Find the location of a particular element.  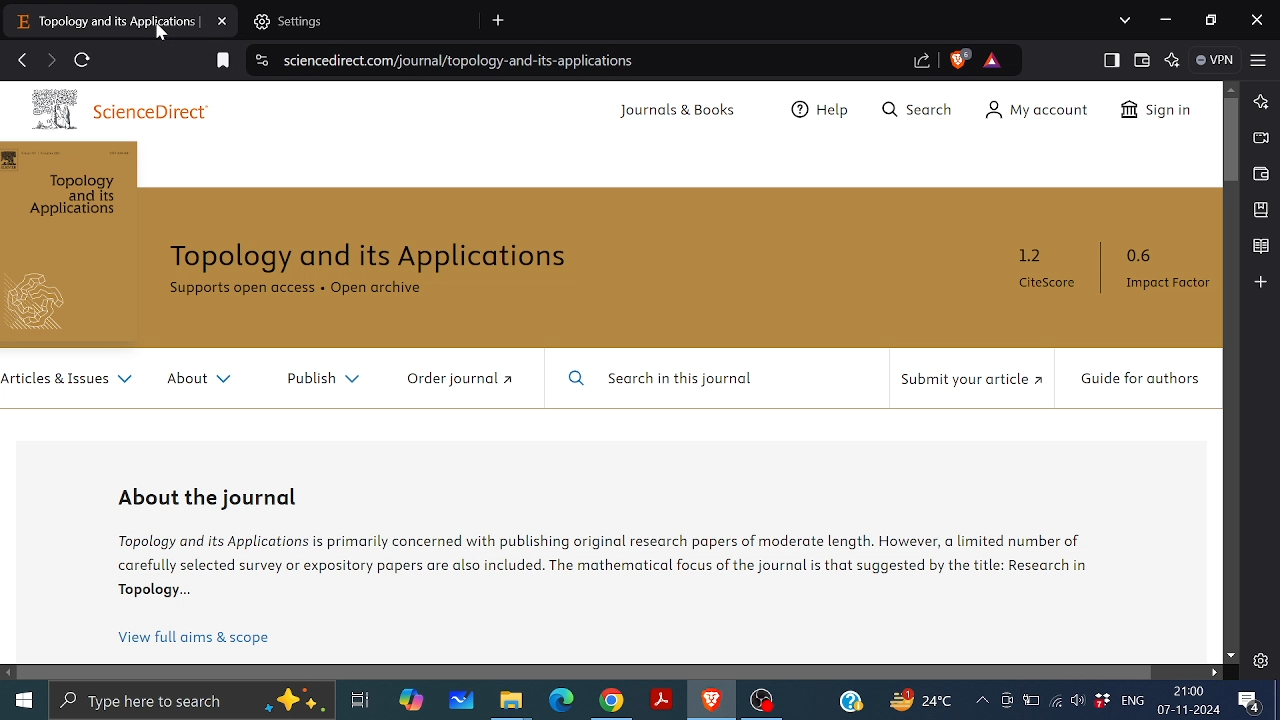

Journals & Books is located at coordinates (673, 112).